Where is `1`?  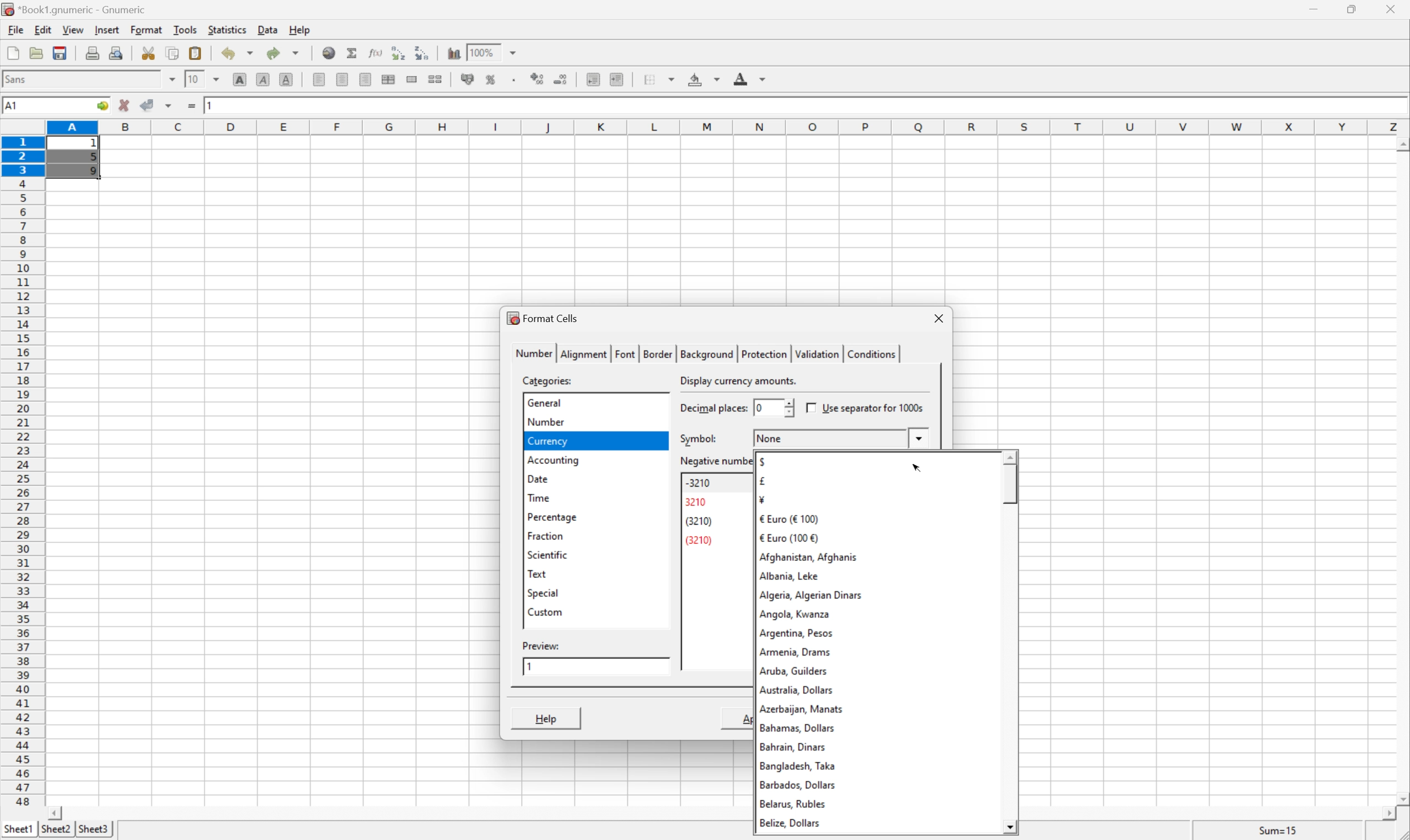
1 is located at coordinates (96, 144).